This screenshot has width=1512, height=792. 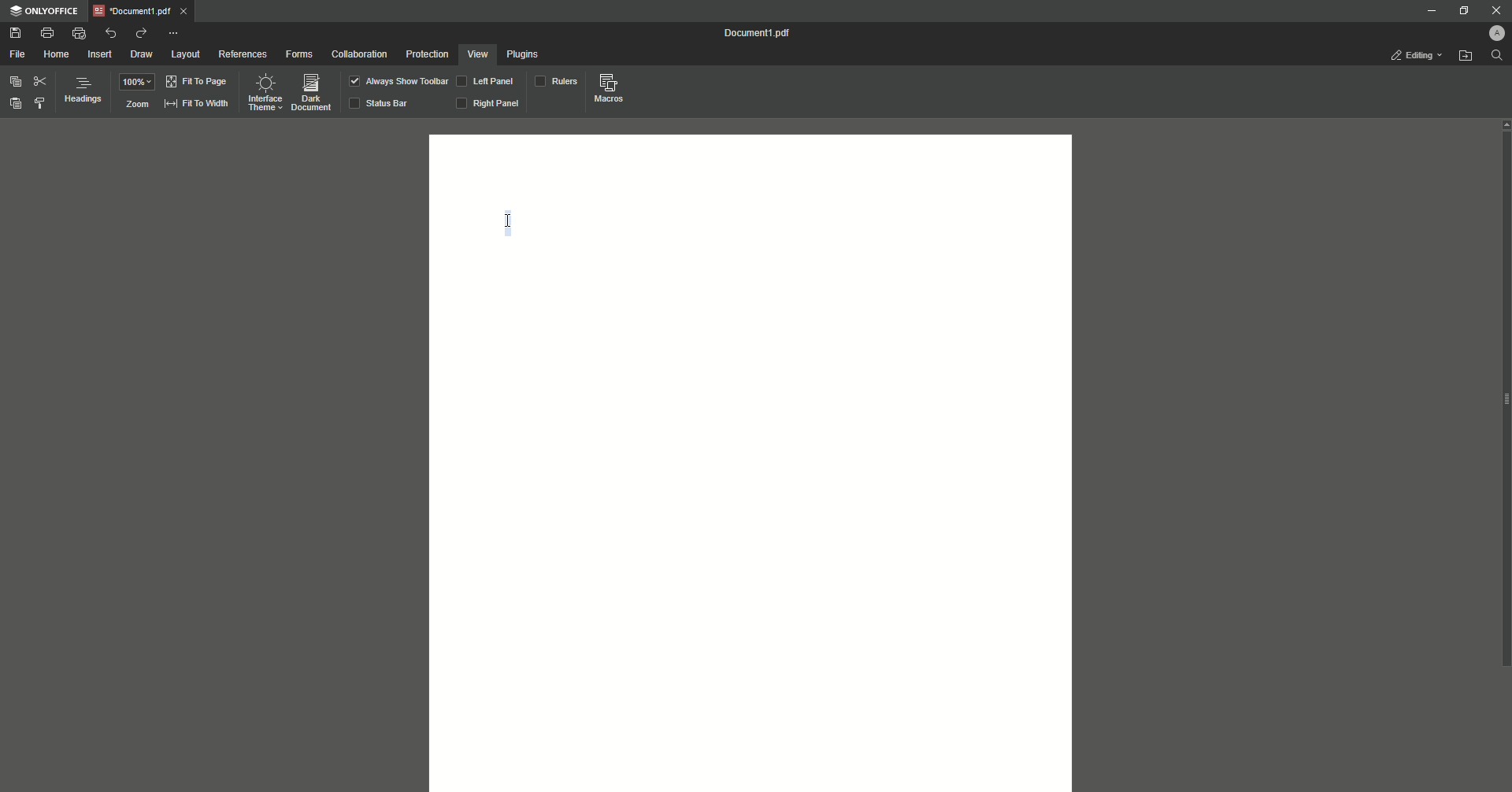 I want to click on Headings, so click(x=83, y=91).